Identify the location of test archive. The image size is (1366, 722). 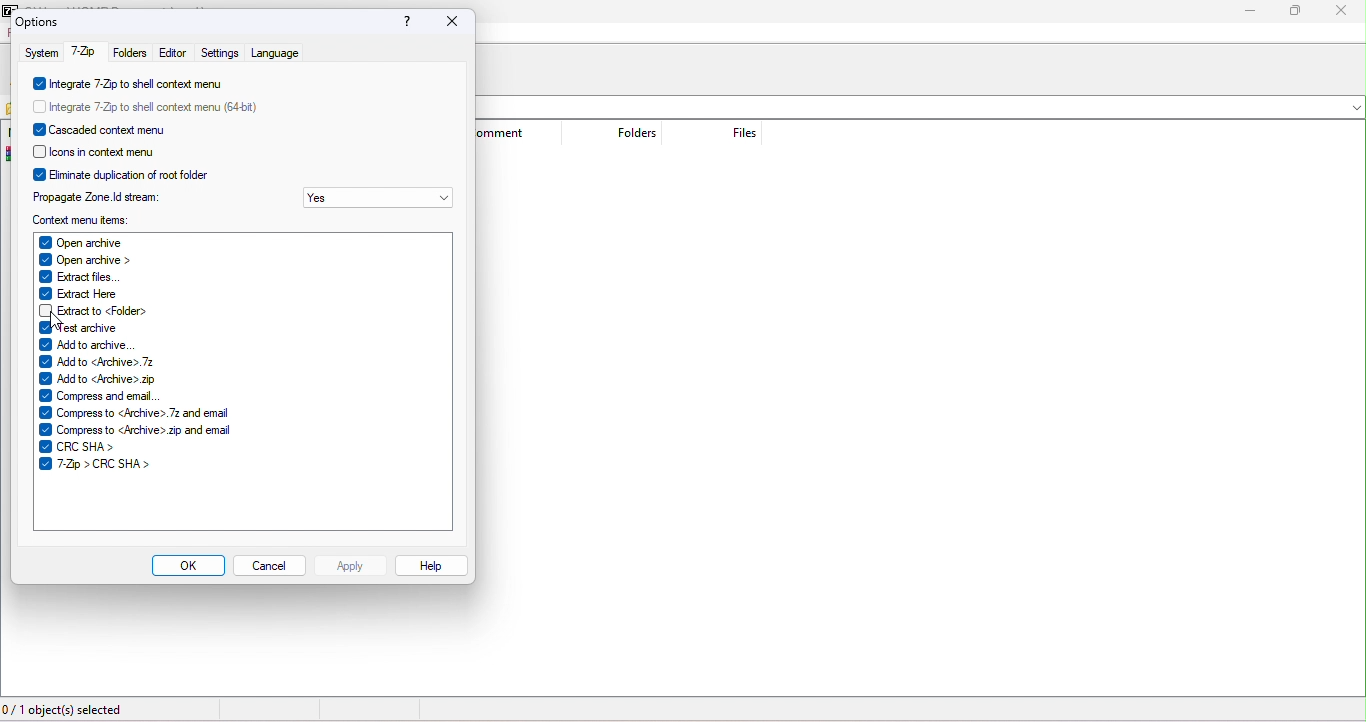
(81, 326).